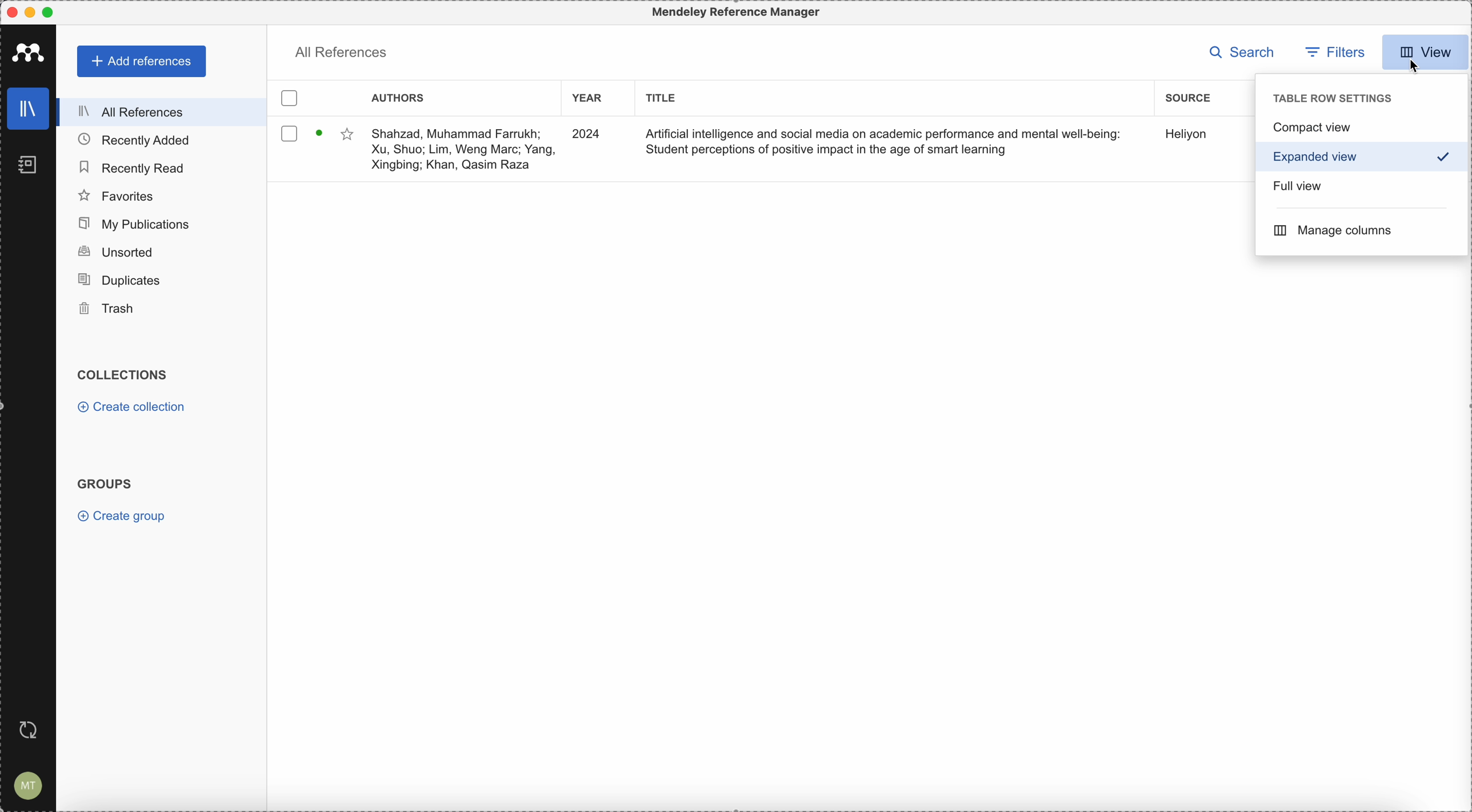  I want to click on all references, so click(162, 113).